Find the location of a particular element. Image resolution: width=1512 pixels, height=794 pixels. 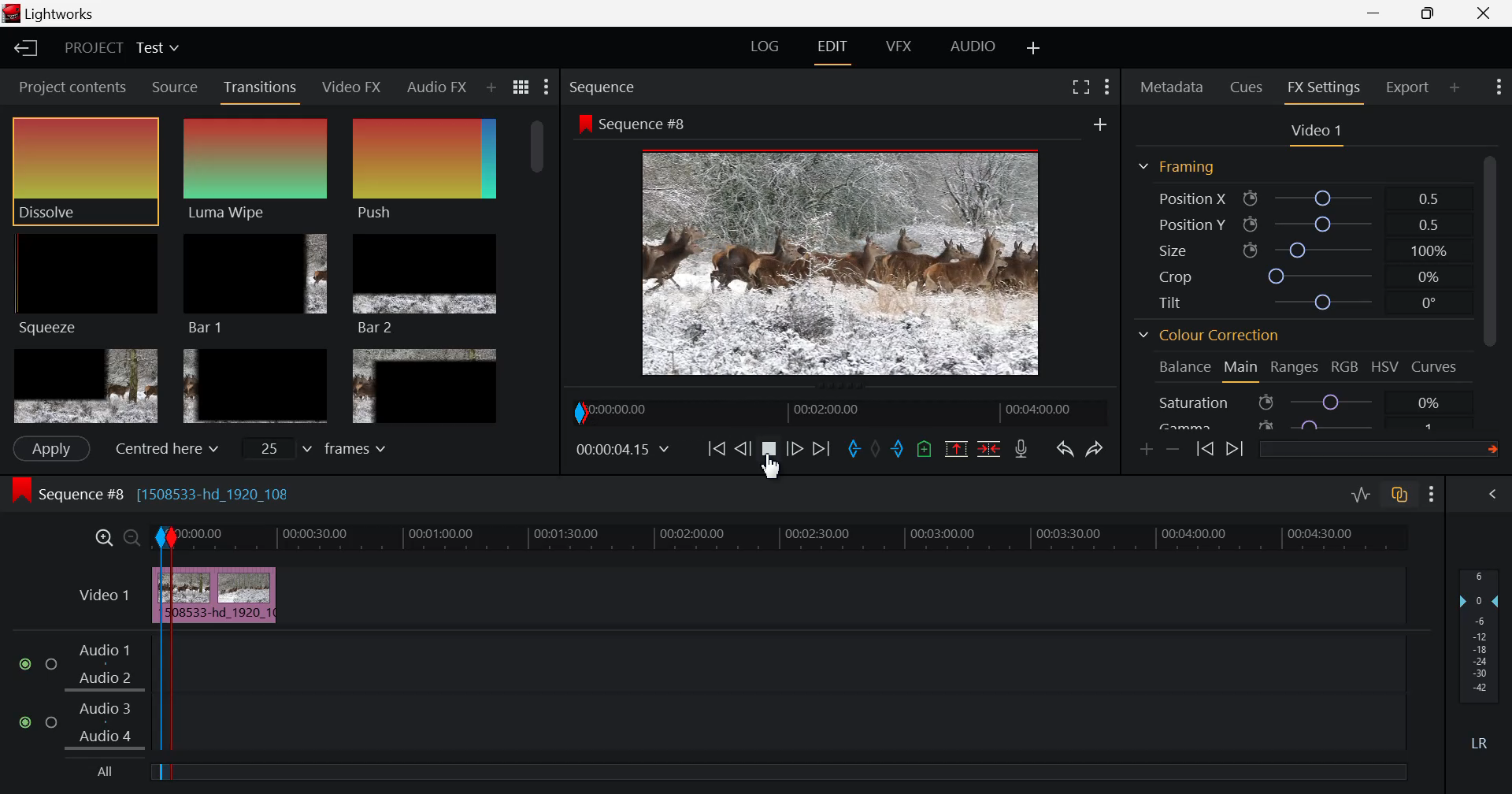

Delete/Cut is located at coordinates (989, 447).